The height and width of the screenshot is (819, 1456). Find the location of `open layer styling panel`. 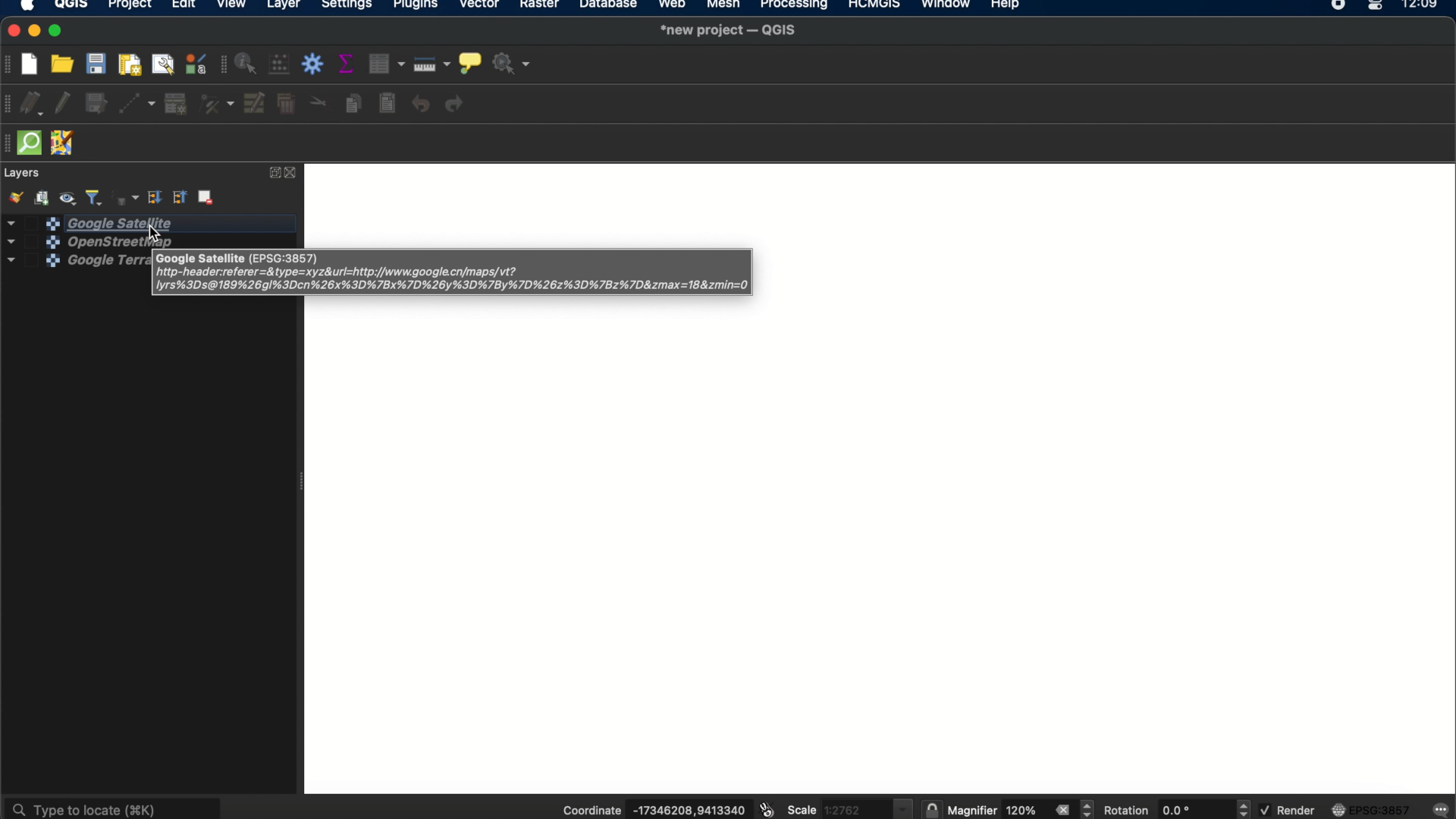

open layer styling panel is located at coordinates (14, 197).